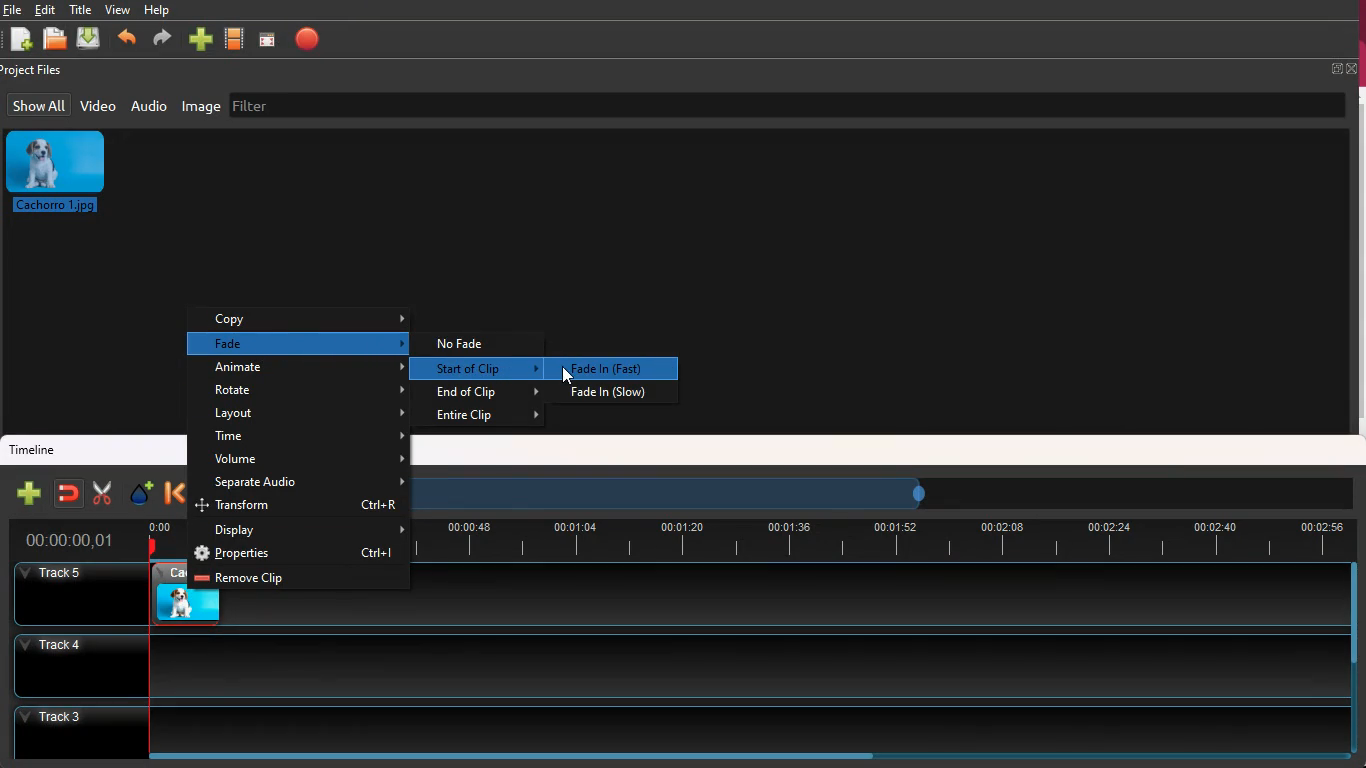  Describe the element at coordinates (671, 663) in the screenshot. I see `track4` at that location.